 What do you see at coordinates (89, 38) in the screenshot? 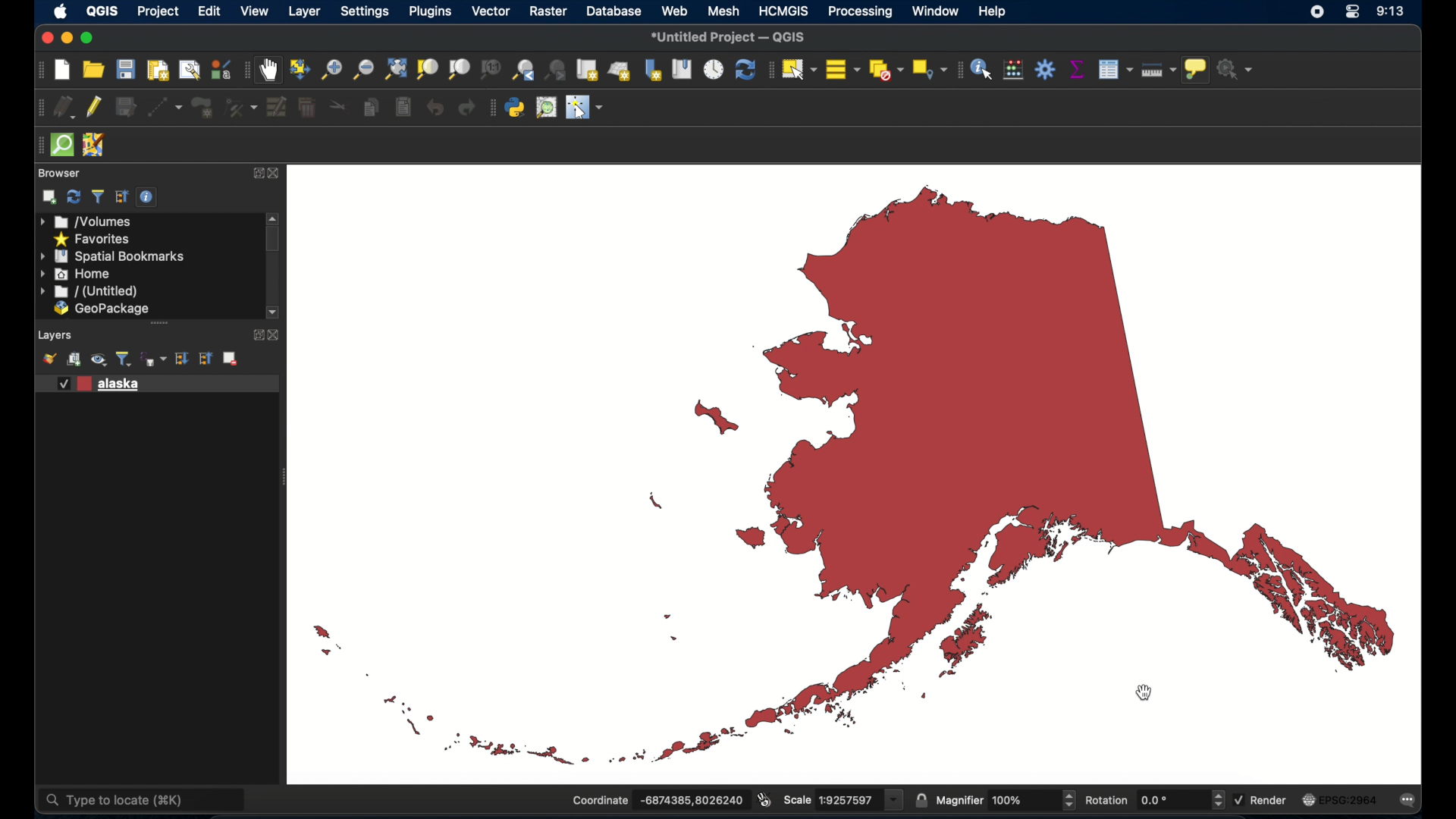
I see `maximize` at bounding box center [89, 38].